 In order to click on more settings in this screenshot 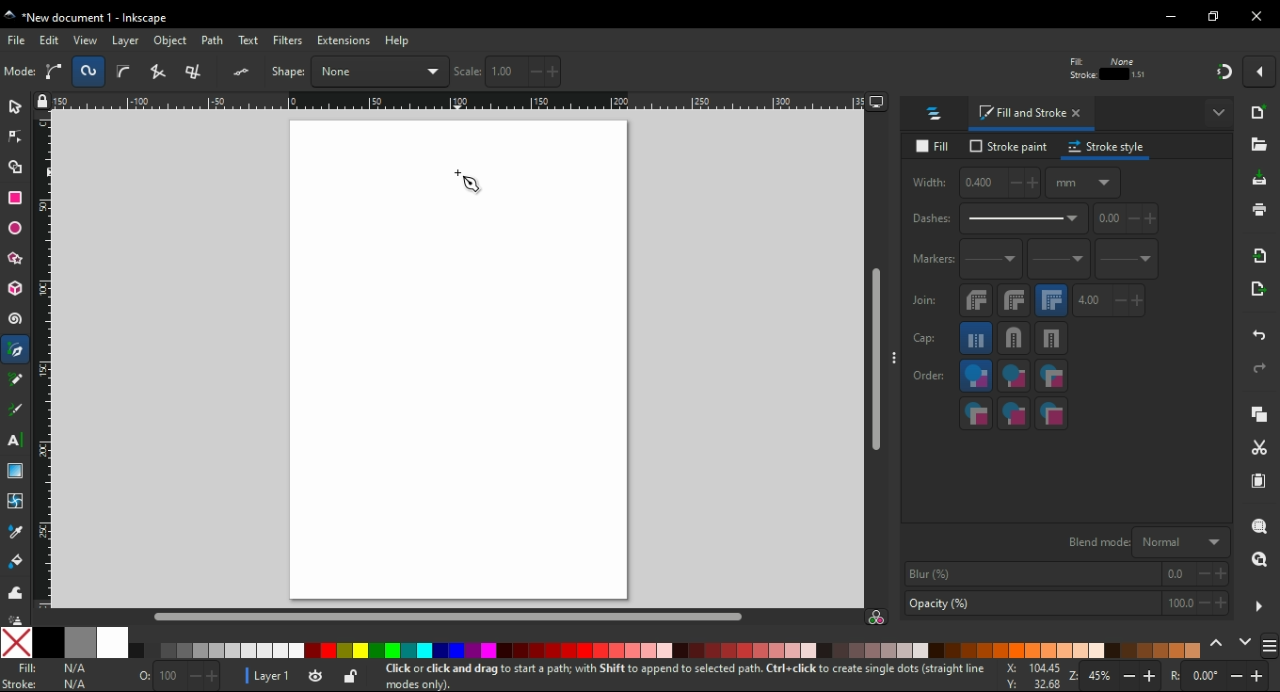, I will do `click(1259, 607)`.